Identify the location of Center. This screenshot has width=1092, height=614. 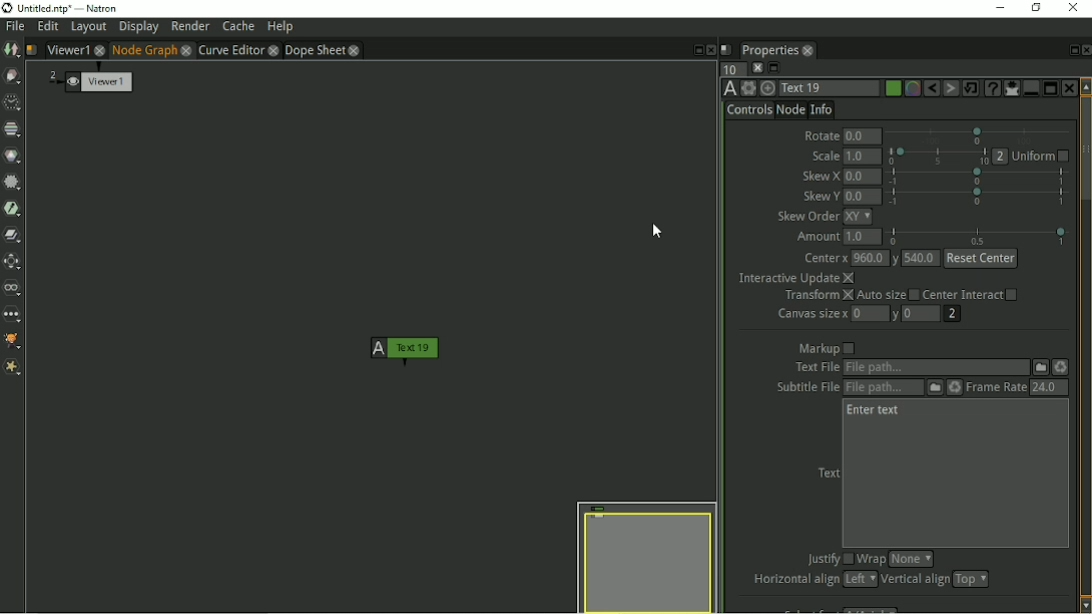
(823, 256).